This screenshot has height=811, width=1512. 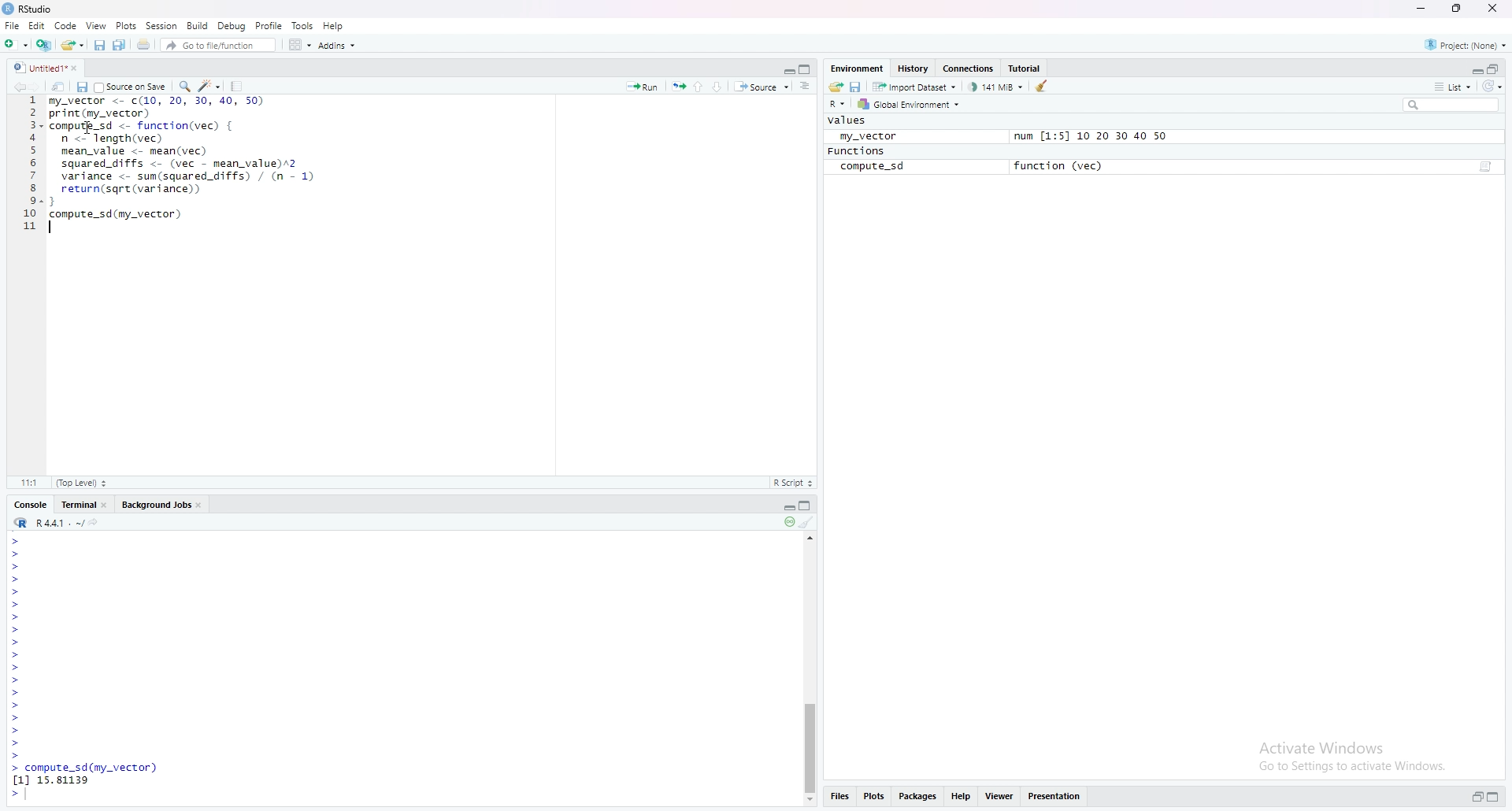 What do you see at coordinates (873, 794) in the screenshot?
I see `Plots` at bounding box center [873, 794].